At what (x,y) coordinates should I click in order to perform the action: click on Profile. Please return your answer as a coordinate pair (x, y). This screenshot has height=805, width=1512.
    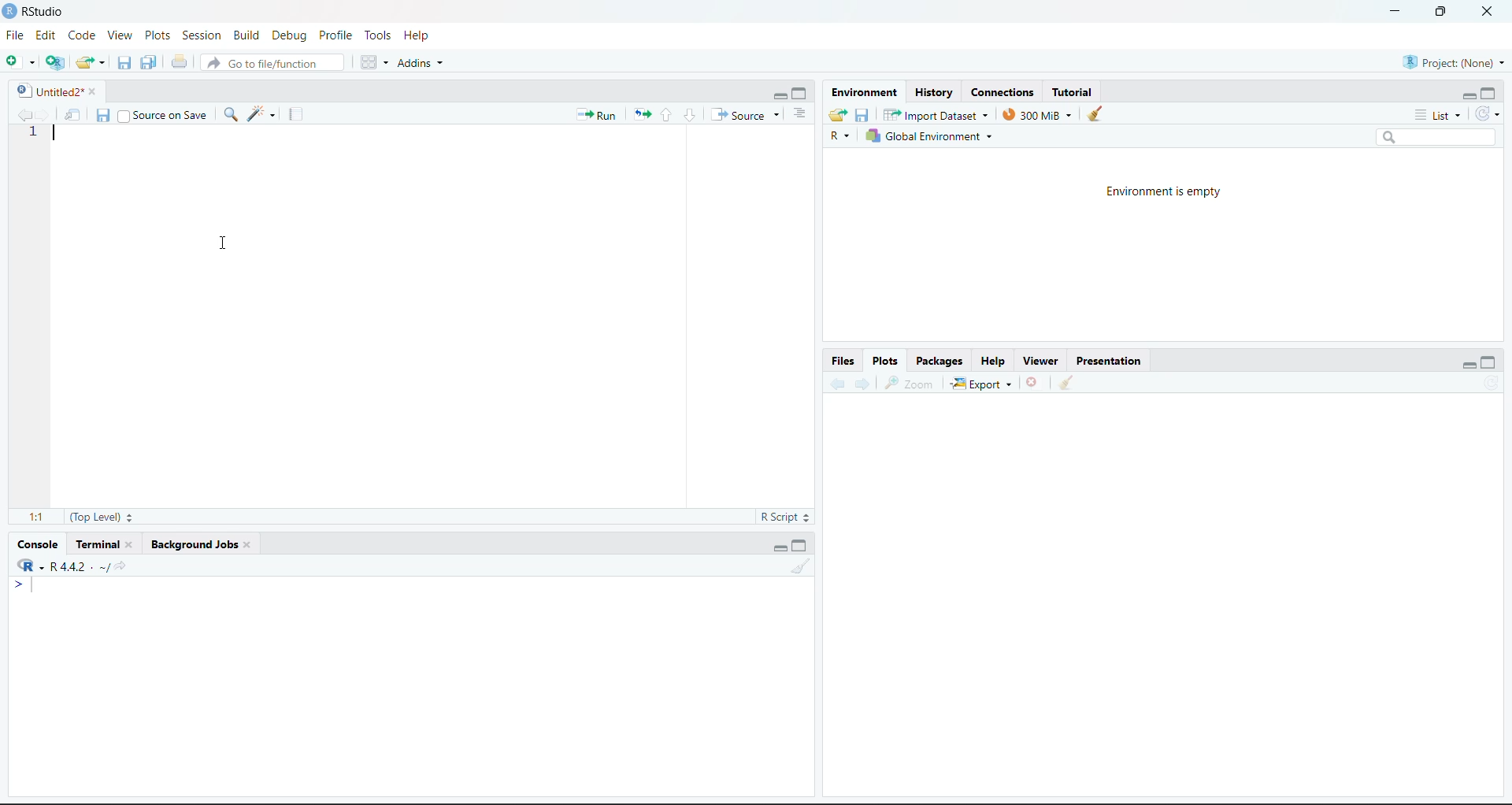
    Looking at the image, I should click on (336, 37).